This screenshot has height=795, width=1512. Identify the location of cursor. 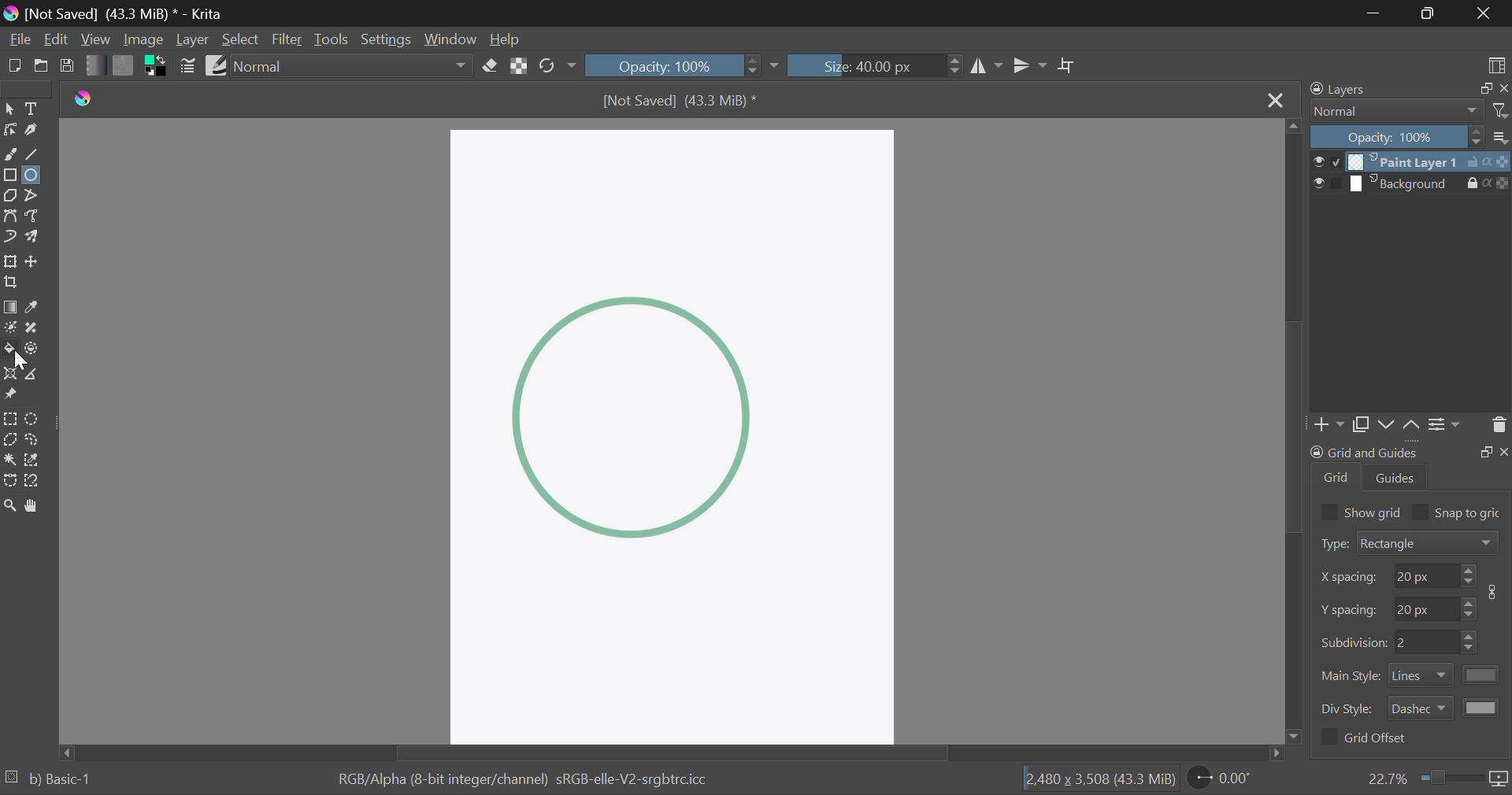
(22, 363).